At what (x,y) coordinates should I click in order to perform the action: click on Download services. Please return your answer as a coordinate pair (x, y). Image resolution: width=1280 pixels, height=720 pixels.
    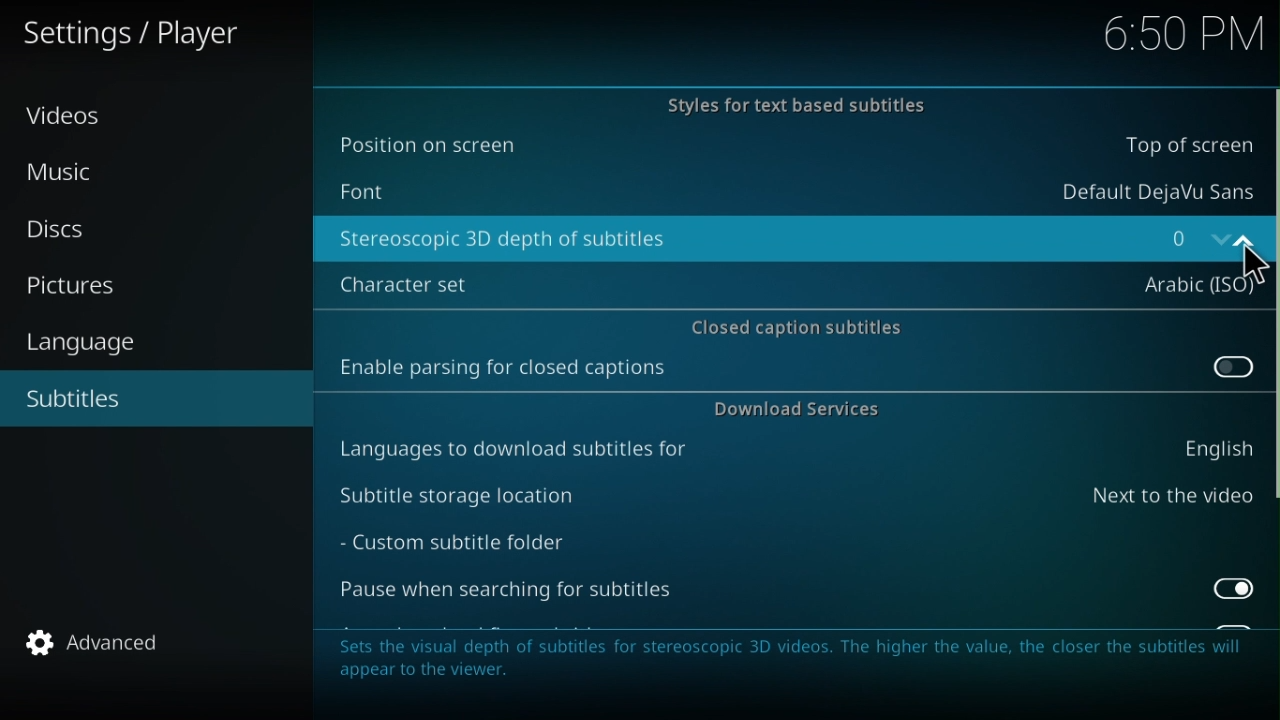
    Looking at the image, I should click on (793, 412).